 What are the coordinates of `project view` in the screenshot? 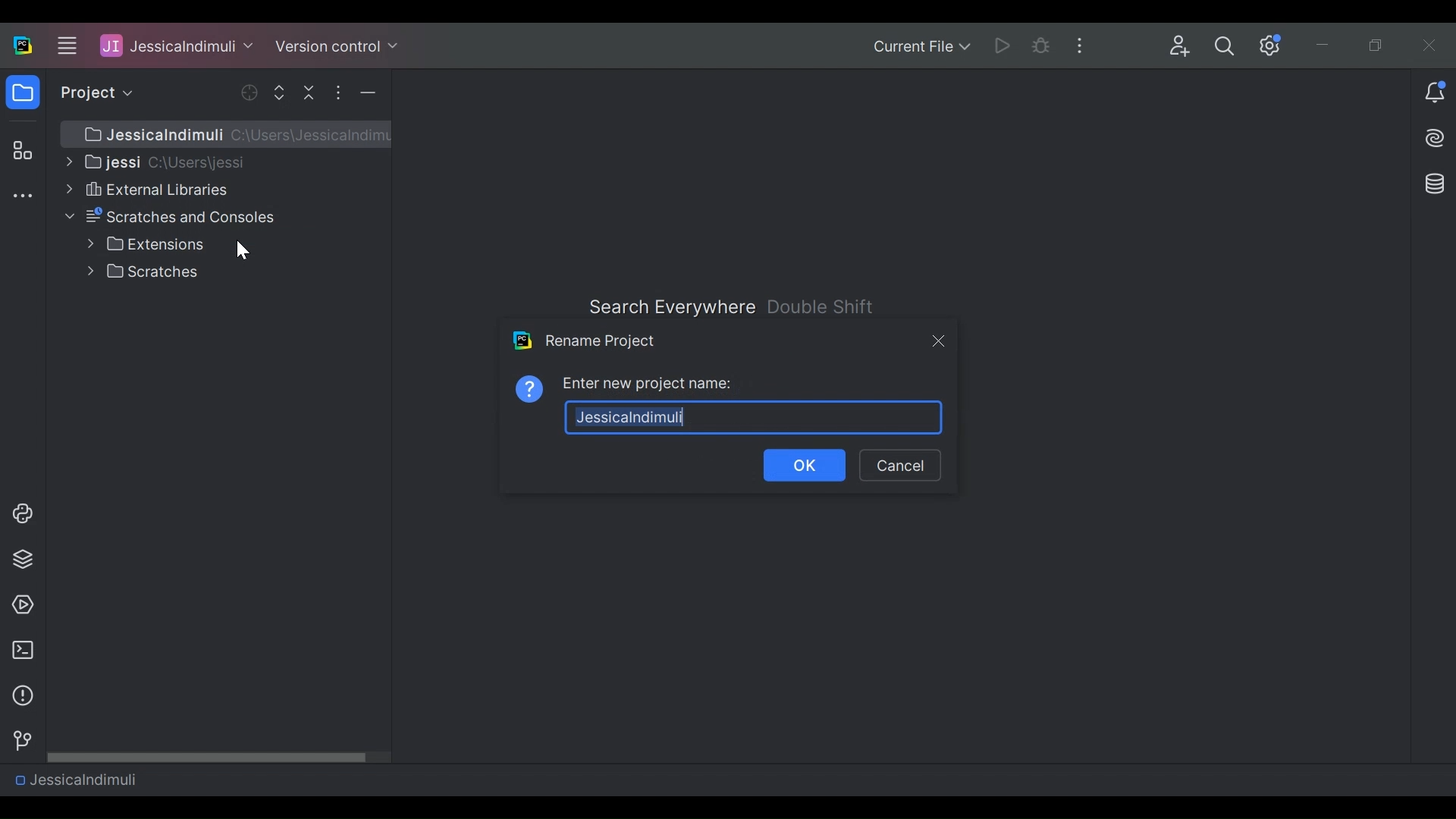 It's located at (93, 93).